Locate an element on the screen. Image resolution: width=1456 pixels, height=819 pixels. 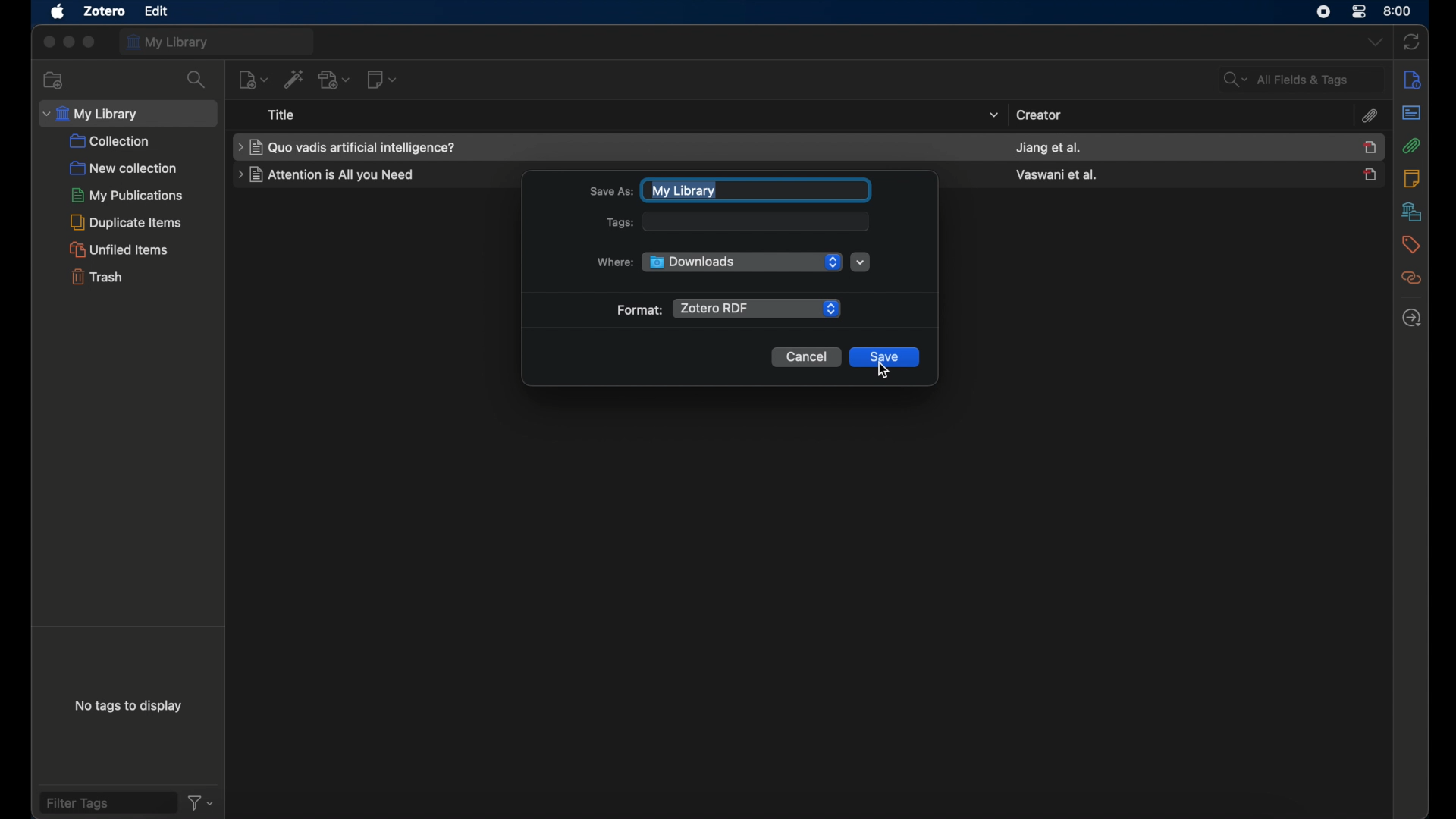
screen recorder is located at coordinates (1324, 11).